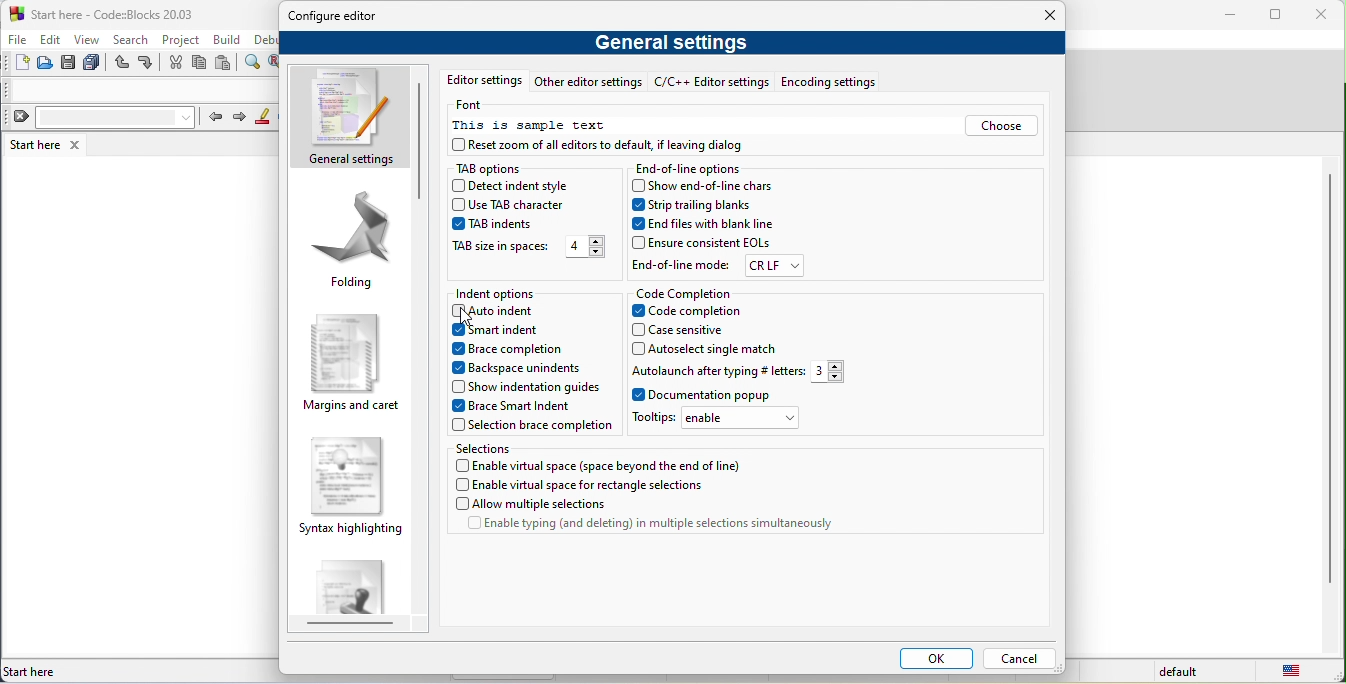 The image size is (1346, 684). What do you see at coordinates (742, 372) in the screenshot?
I see `autolaunch after typing letters` at bounding box center [742, 372].